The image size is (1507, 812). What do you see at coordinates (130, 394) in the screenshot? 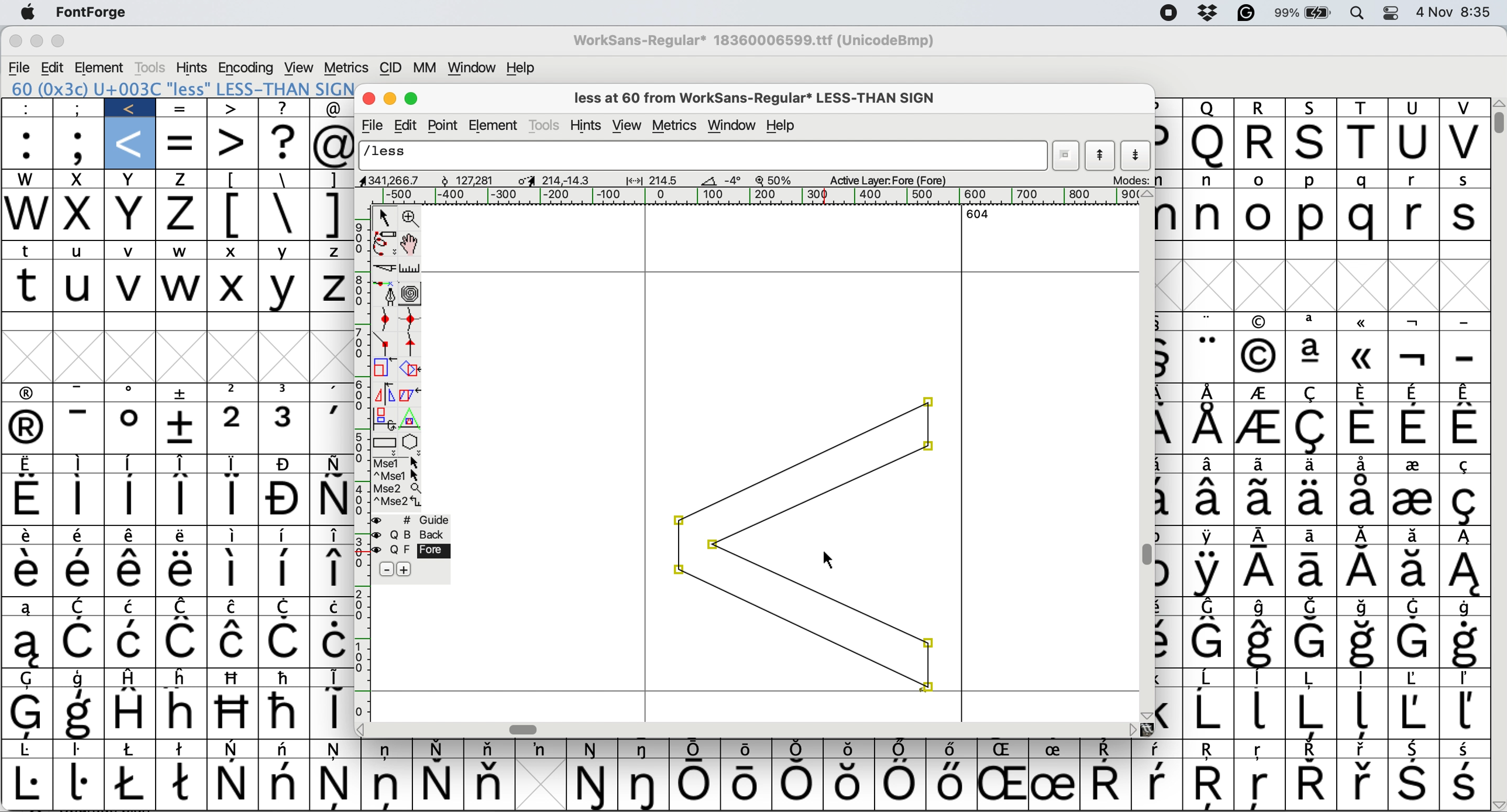
I see `Symbol` at bounding box center [130, 394].